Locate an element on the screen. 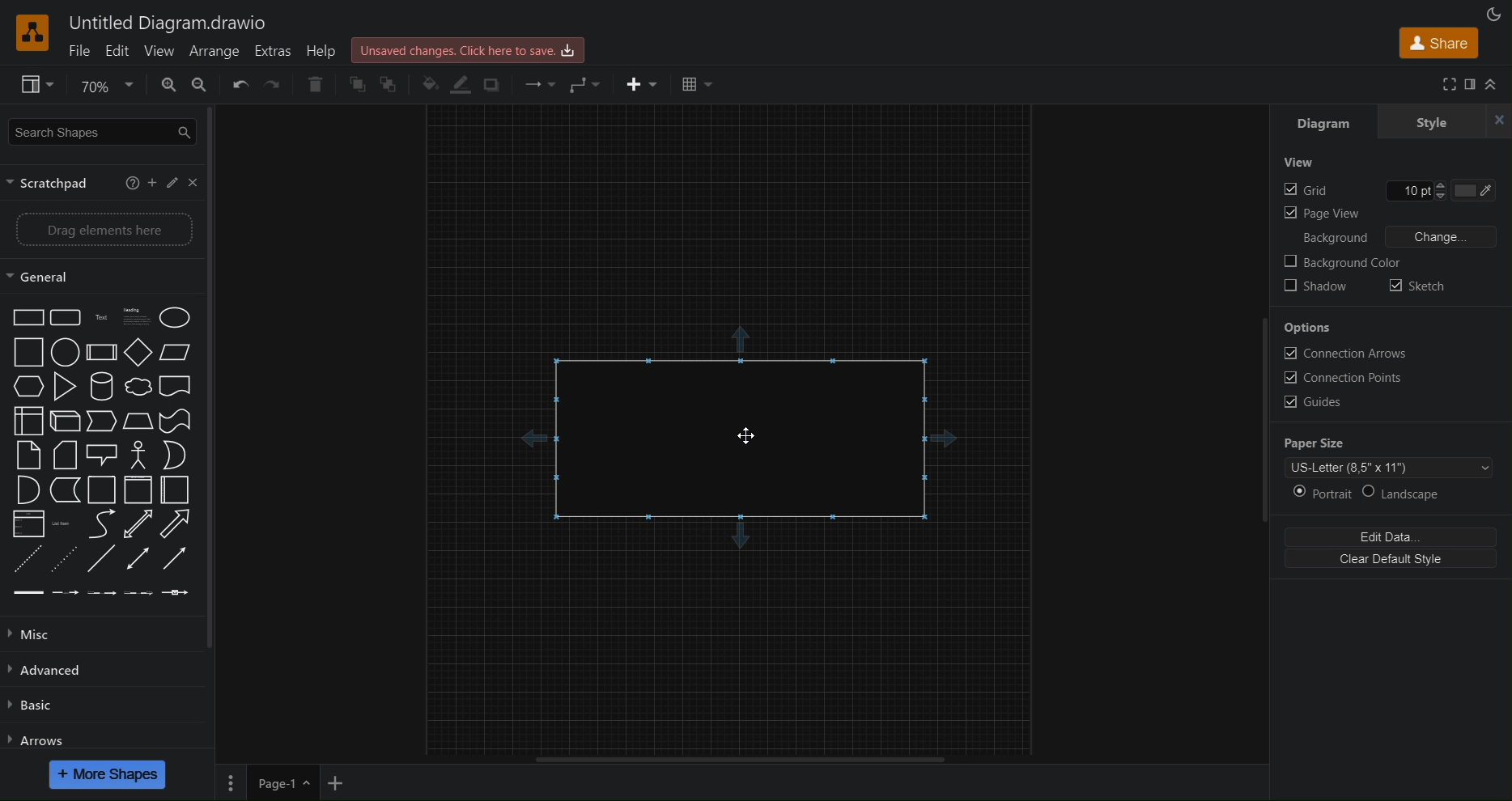 This screenshot has width=1512, height=801. View is located at coordinates (1299, 163).